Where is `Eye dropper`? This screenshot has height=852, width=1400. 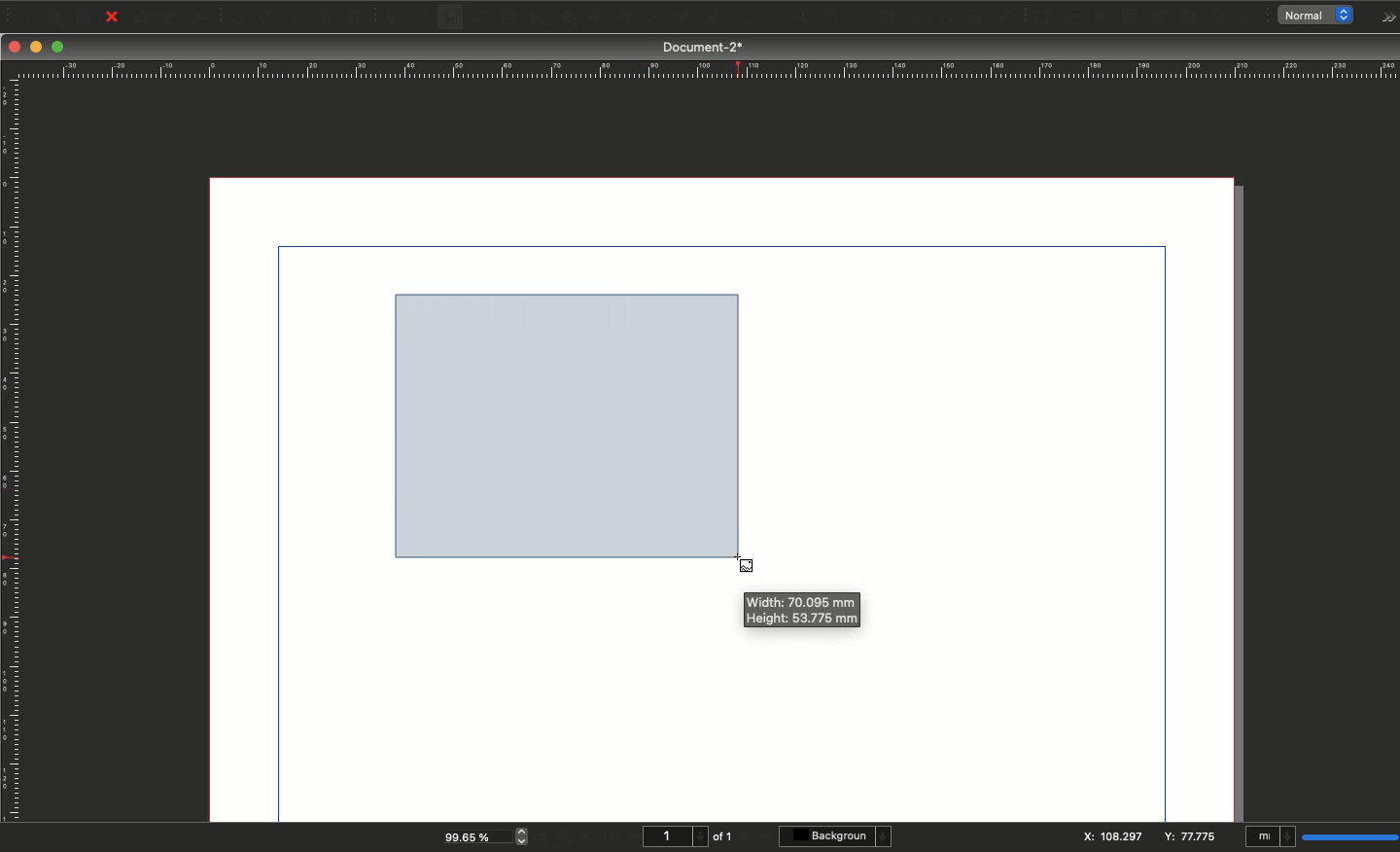 Eye dropper is located at coordinates (1004, 18).